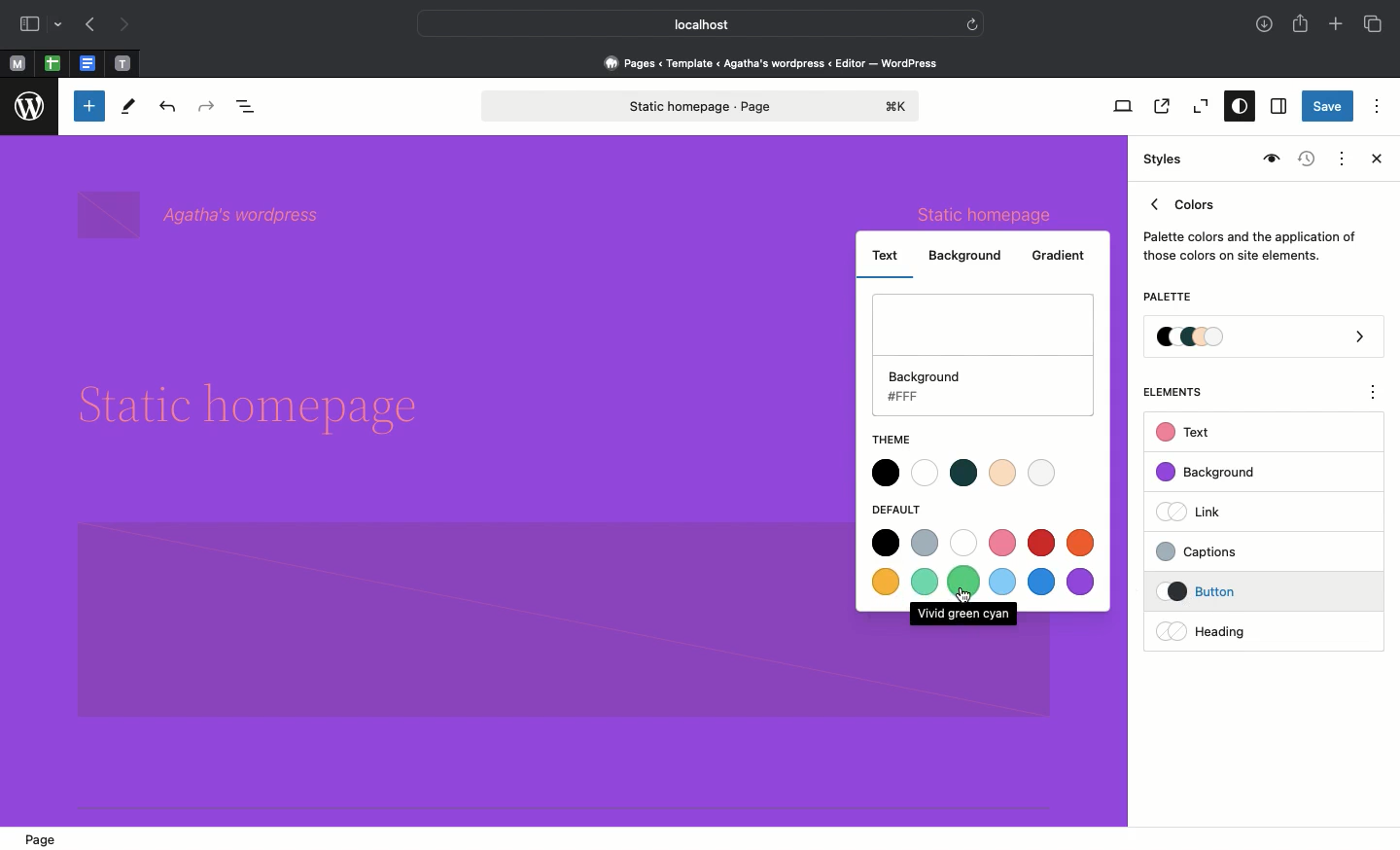 This screenshot has height=850, width=1400. Describe the element at coordinates (209, 107) in the screenshot. I see `Redo` at that location.